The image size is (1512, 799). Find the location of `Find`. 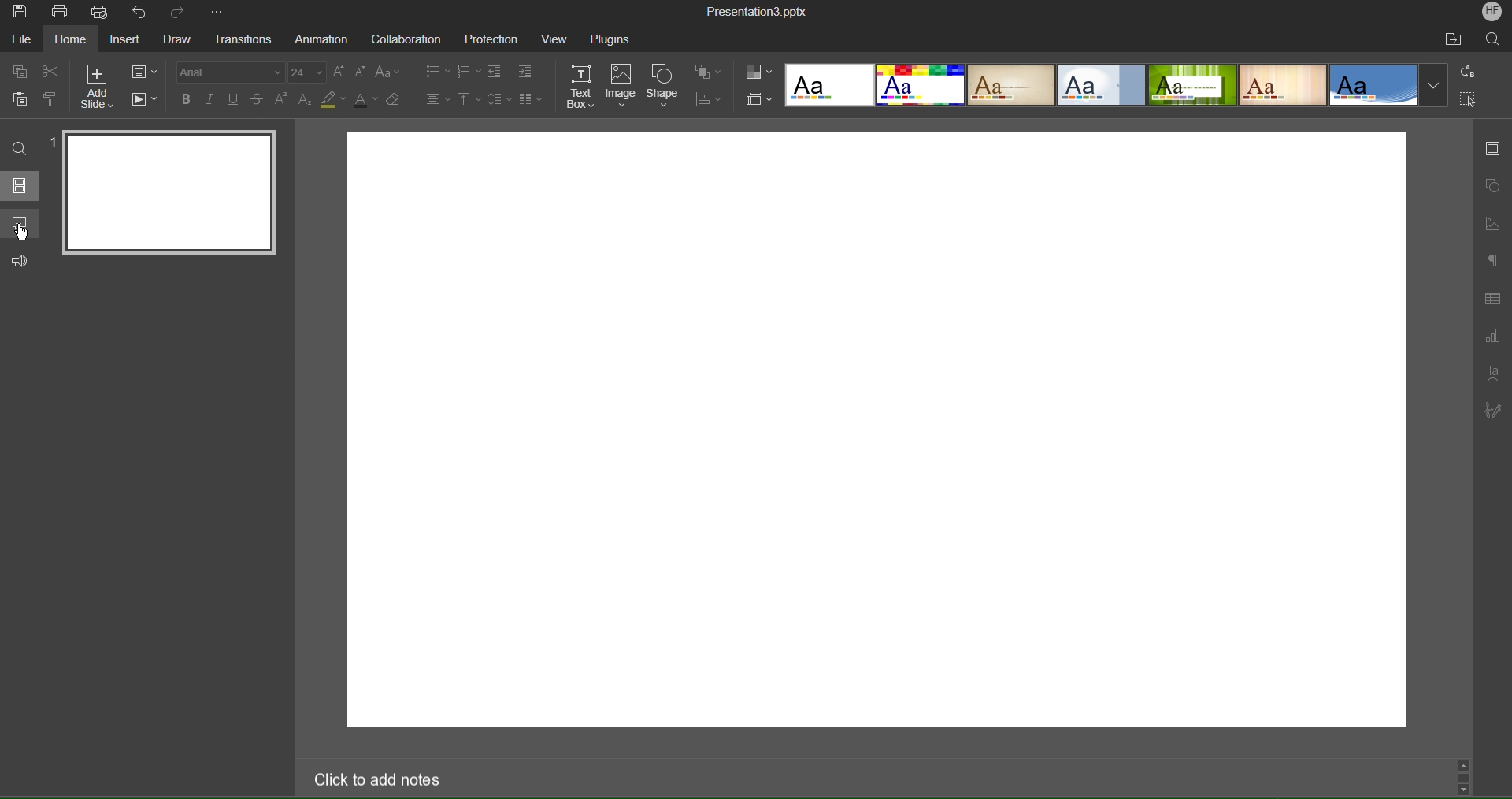

Find is located at coordinates (20, 150).